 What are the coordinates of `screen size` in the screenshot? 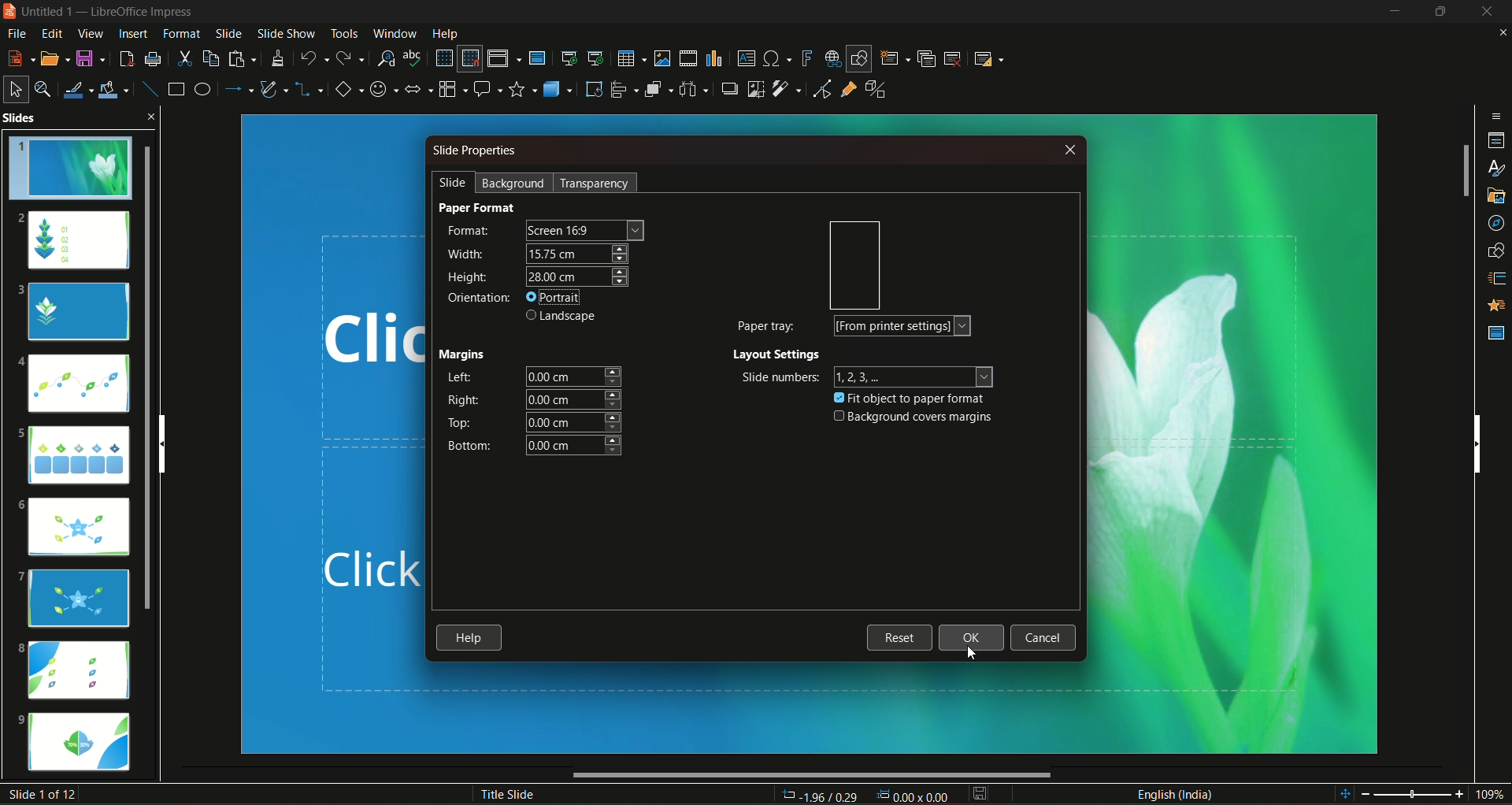 It's located at (584, 230).